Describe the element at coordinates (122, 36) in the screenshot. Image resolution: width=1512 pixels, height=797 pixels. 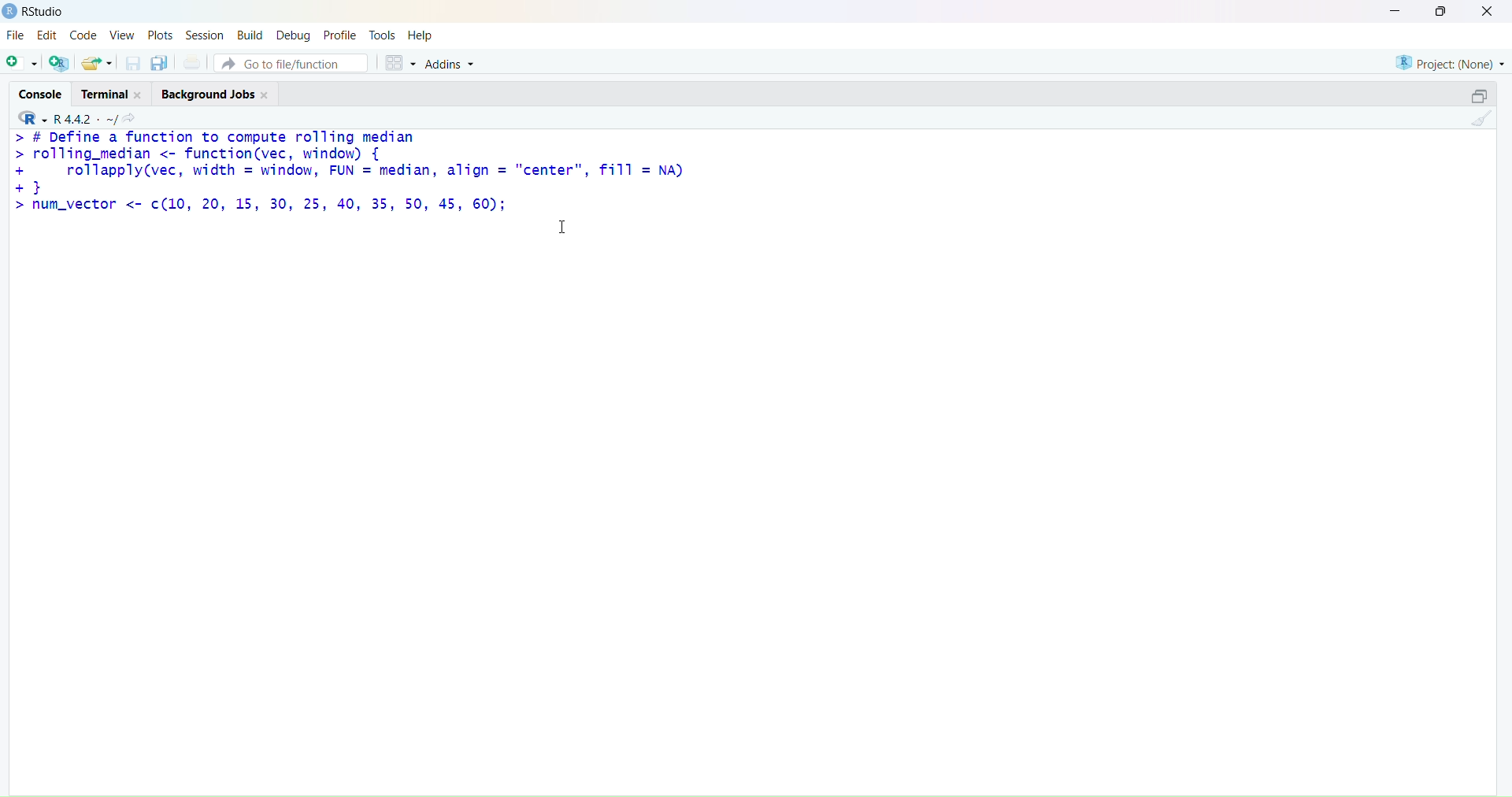
I see `view` at that location.